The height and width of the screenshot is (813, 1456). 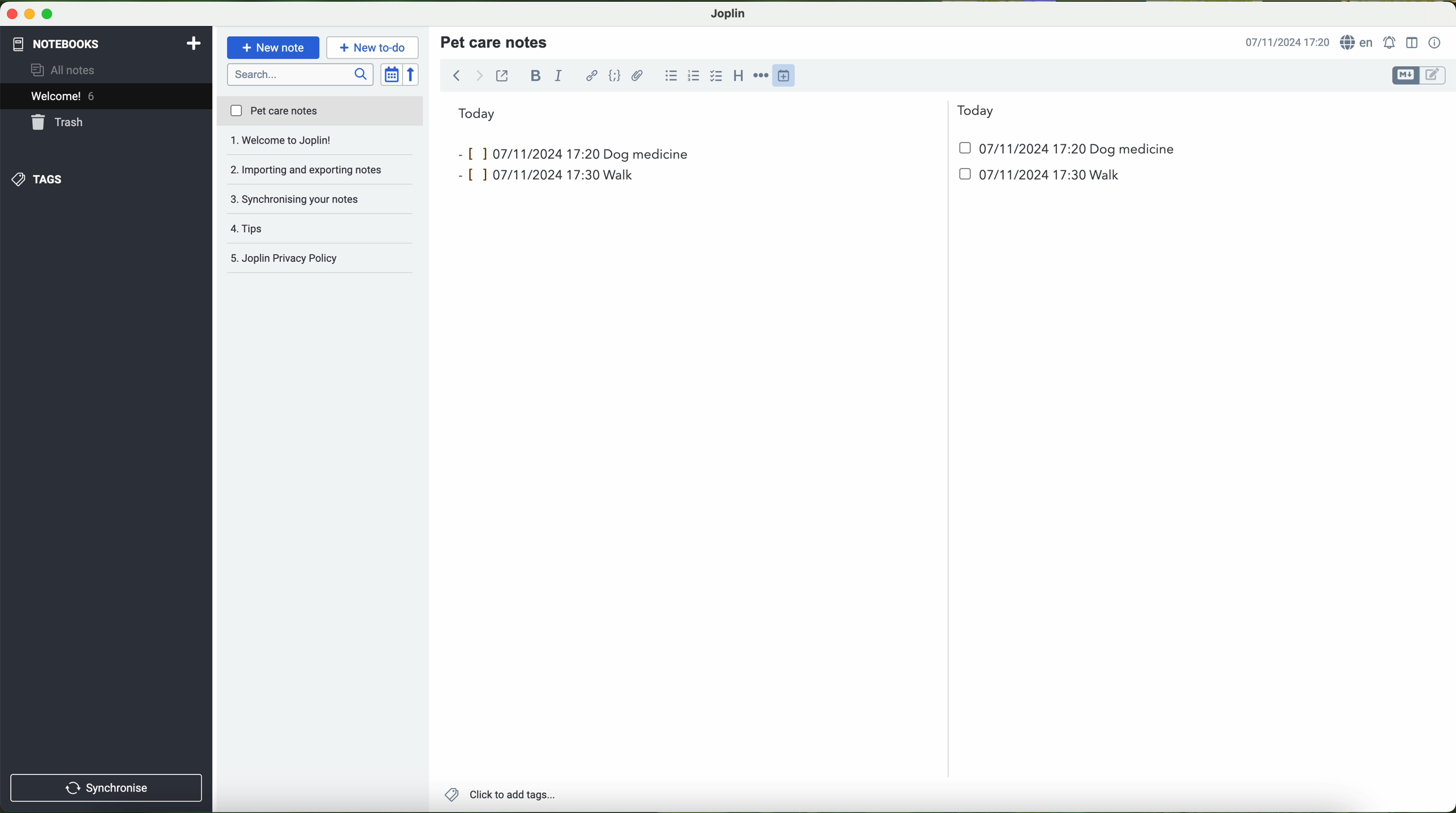 I want to click on Joplin privacy policy, so click(x=321, y=229).